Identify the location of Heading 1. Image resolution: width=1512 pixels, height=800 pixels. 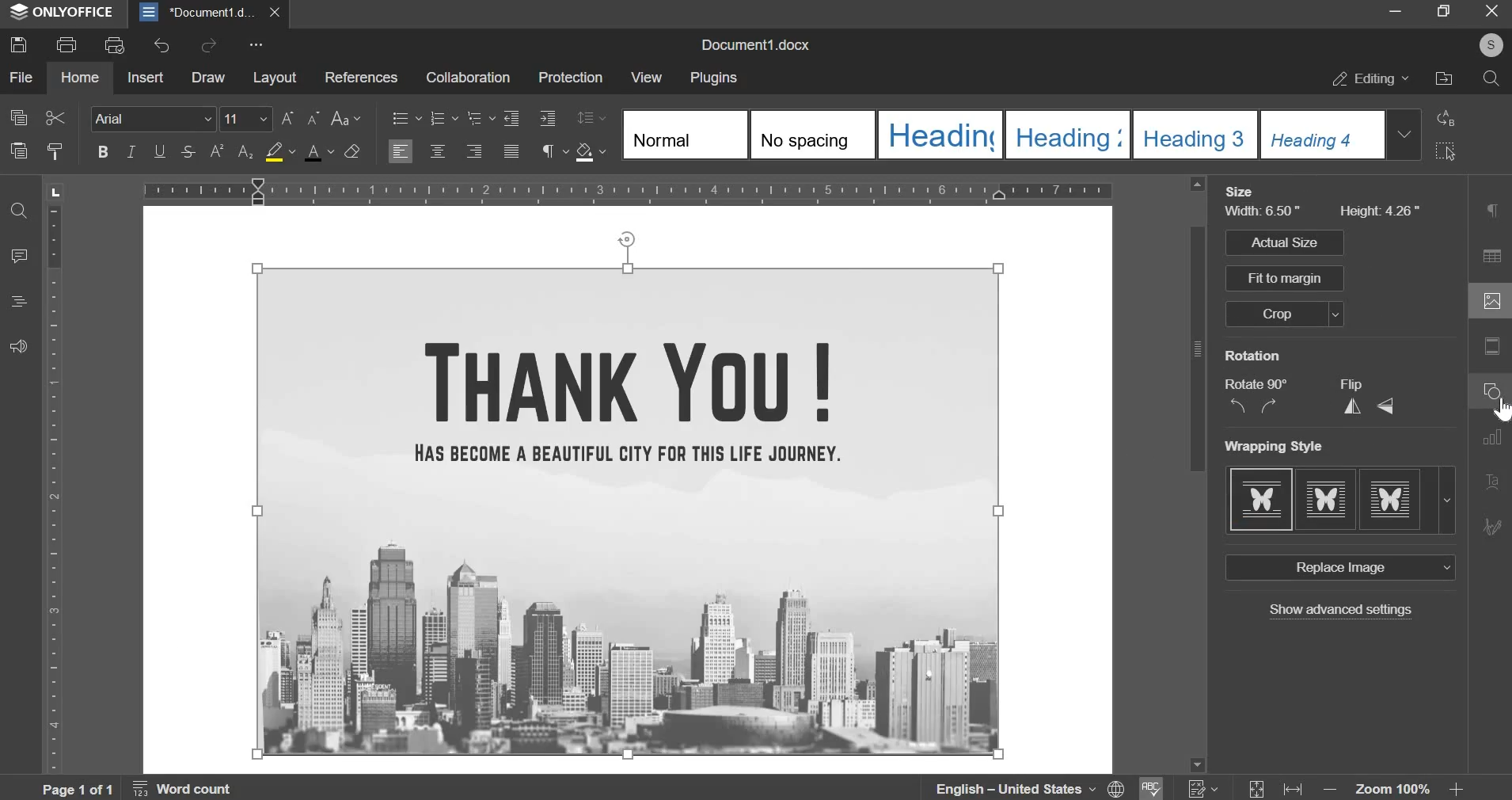
(939, 135).